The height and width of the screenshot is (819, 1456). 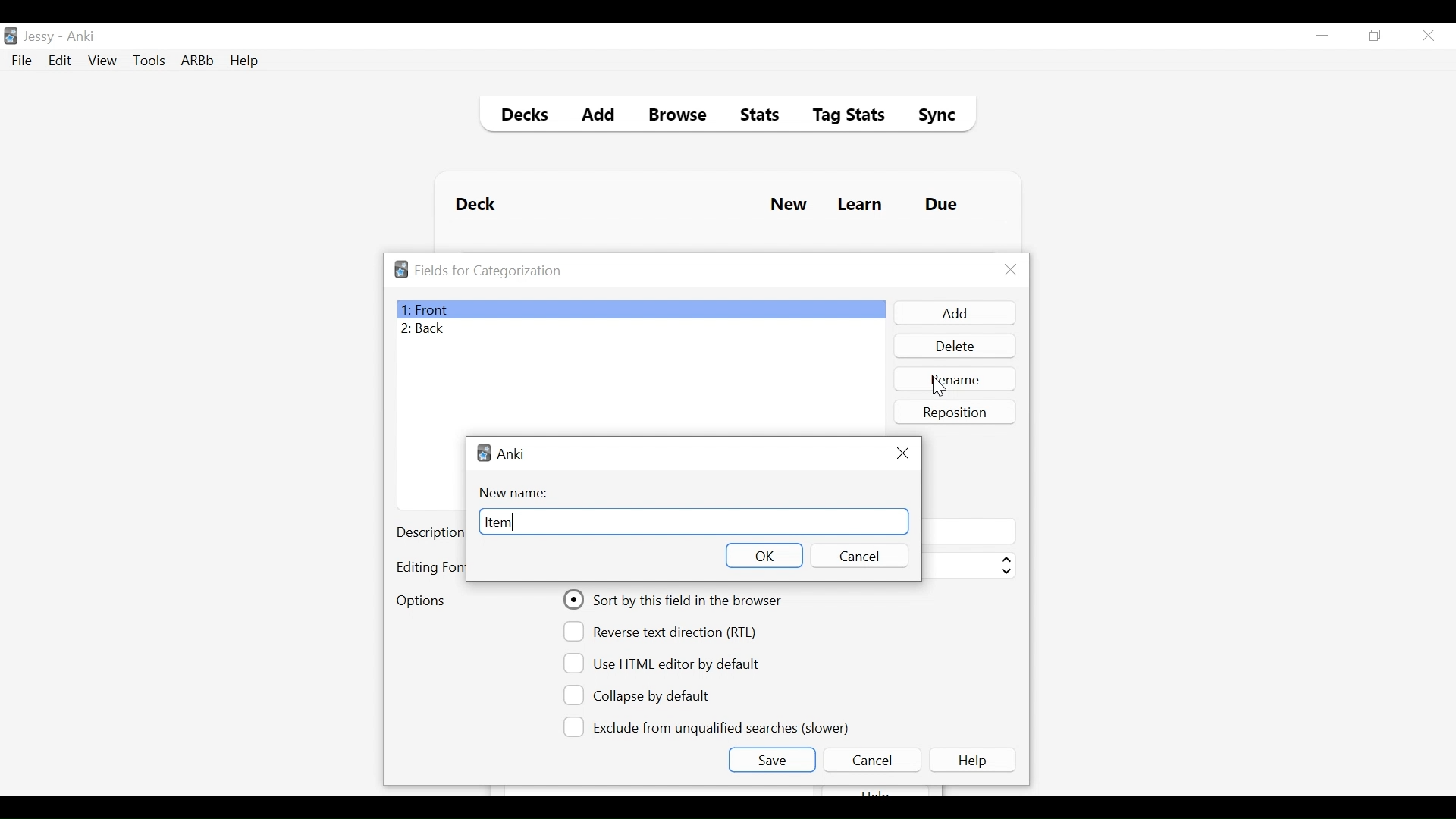 I want to click on Edit, so click(x=58, y=62).